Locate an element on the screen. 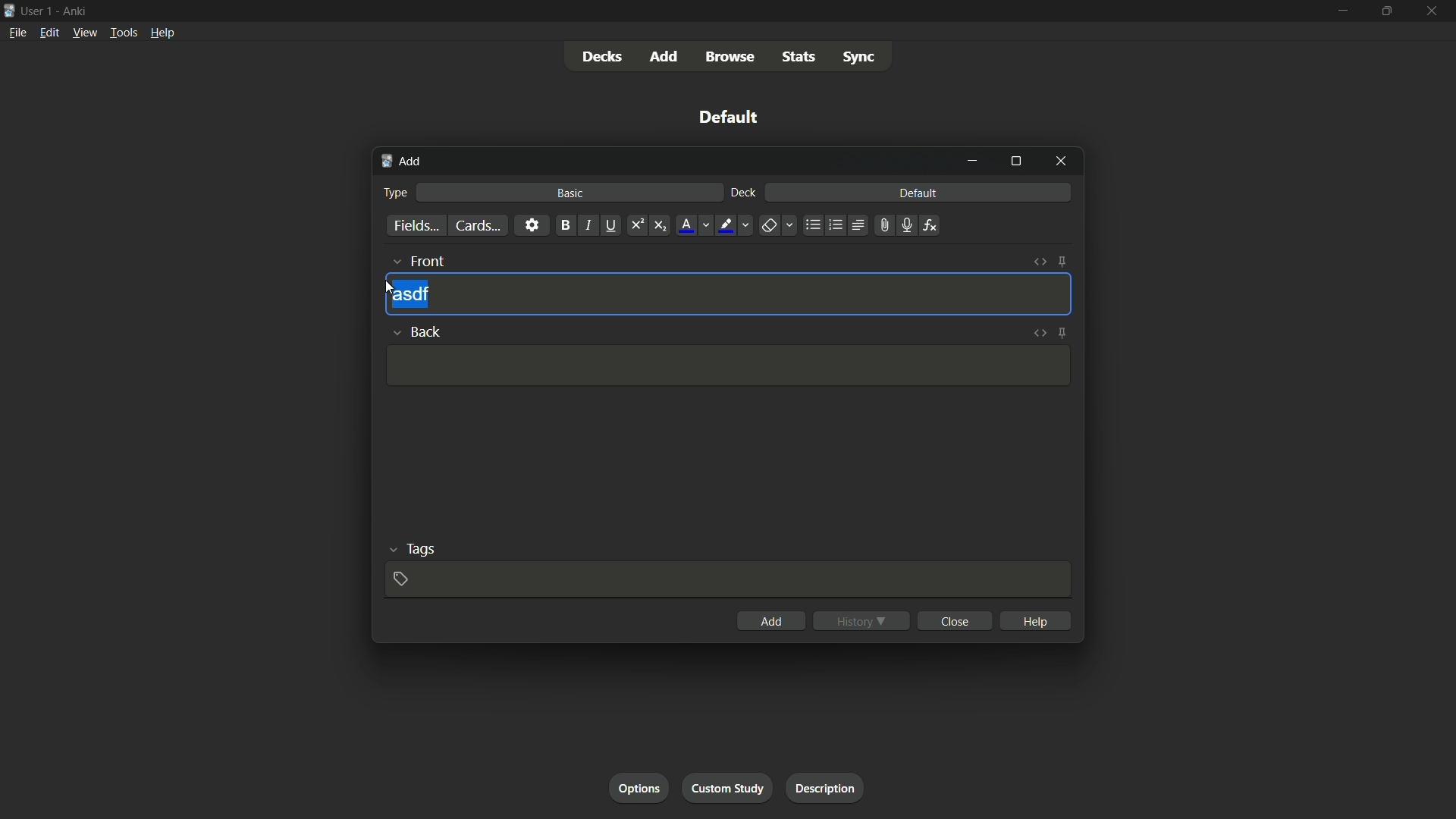  sync is located at coordinates (859, 57).